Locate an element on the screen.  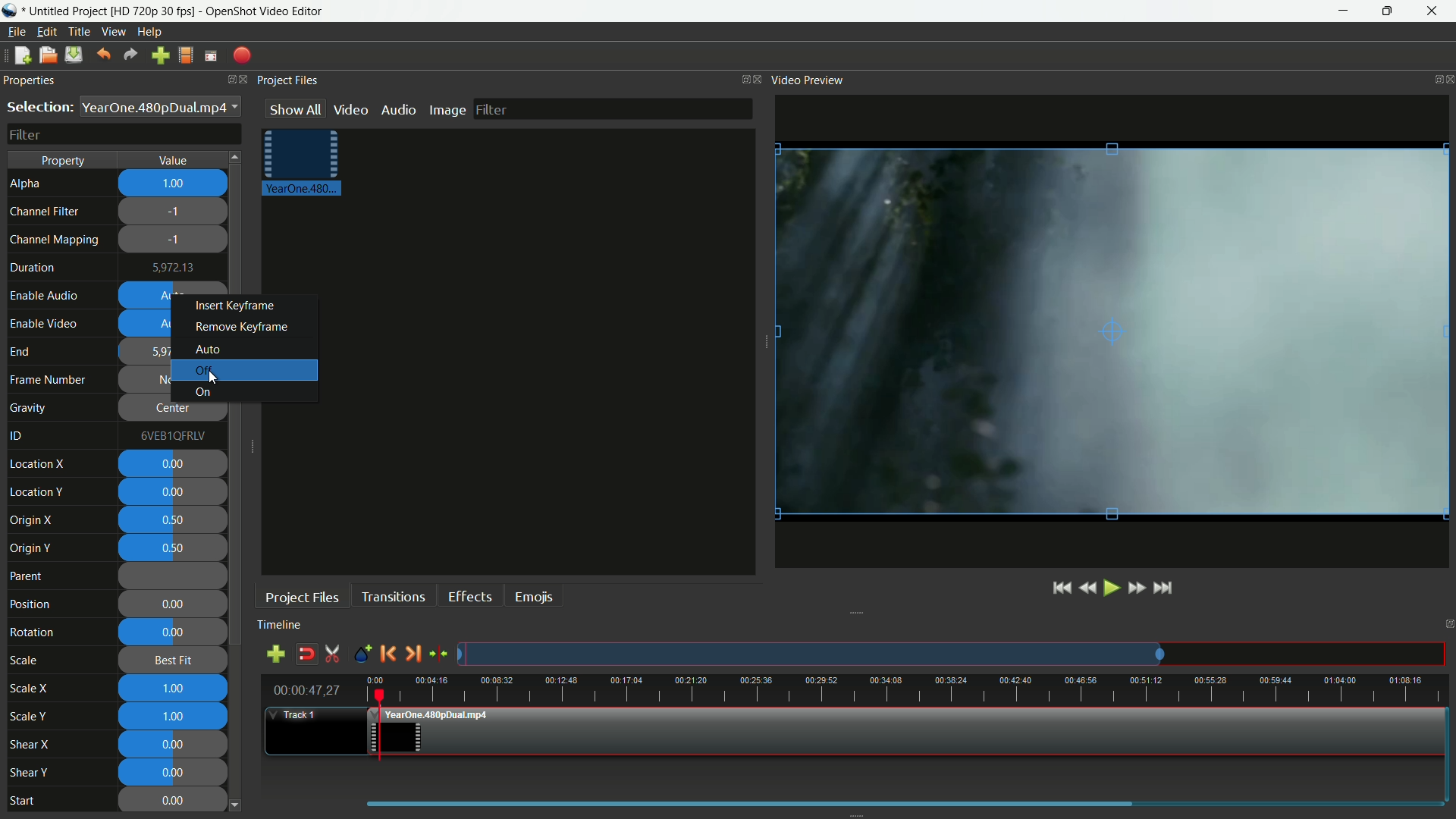
gravity is located at coordinates (30, 406).